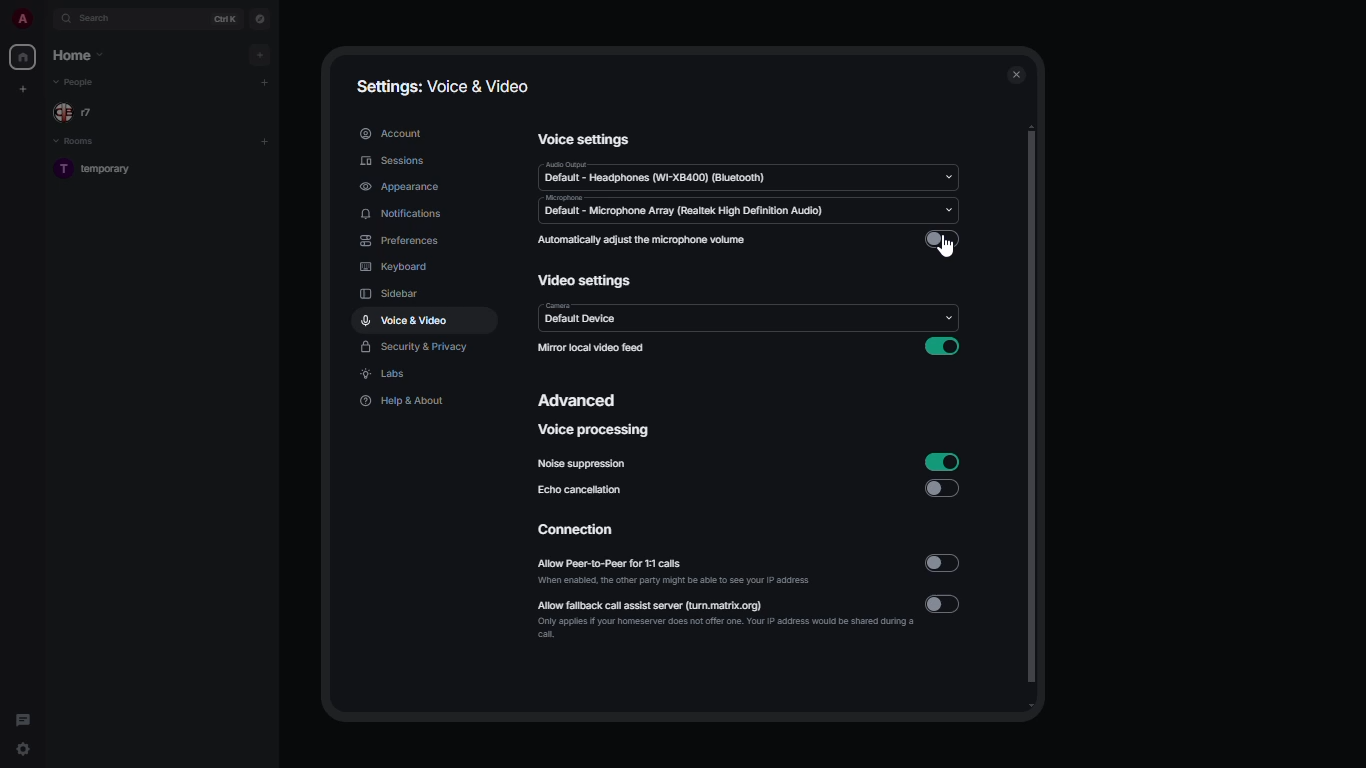 The width and height of the screenshot is (1366, 768). I want to click on quick settings, so click(21, 748).